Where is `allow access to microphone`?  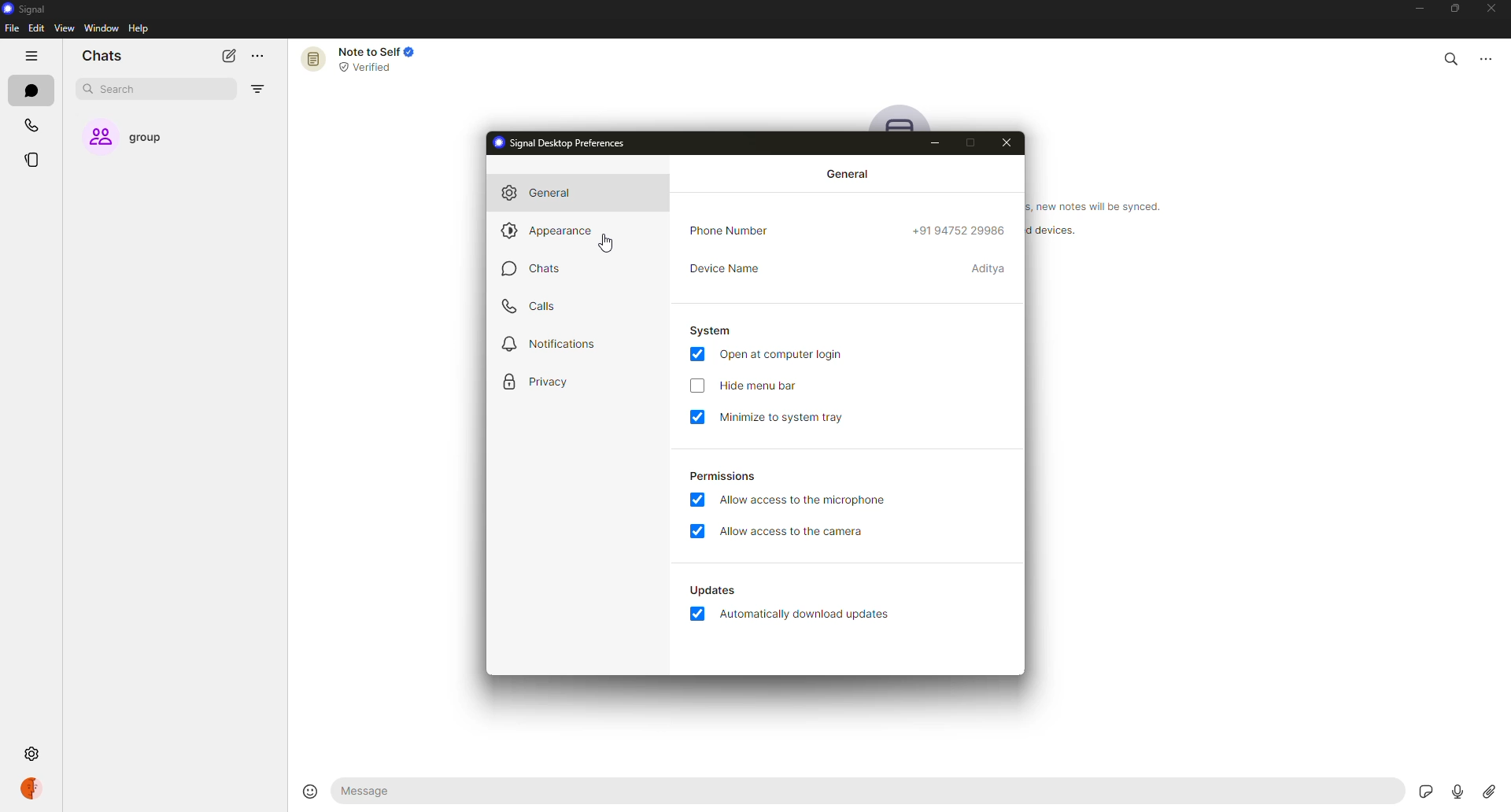
allow access to microphone is located at coordinates (809, 500).